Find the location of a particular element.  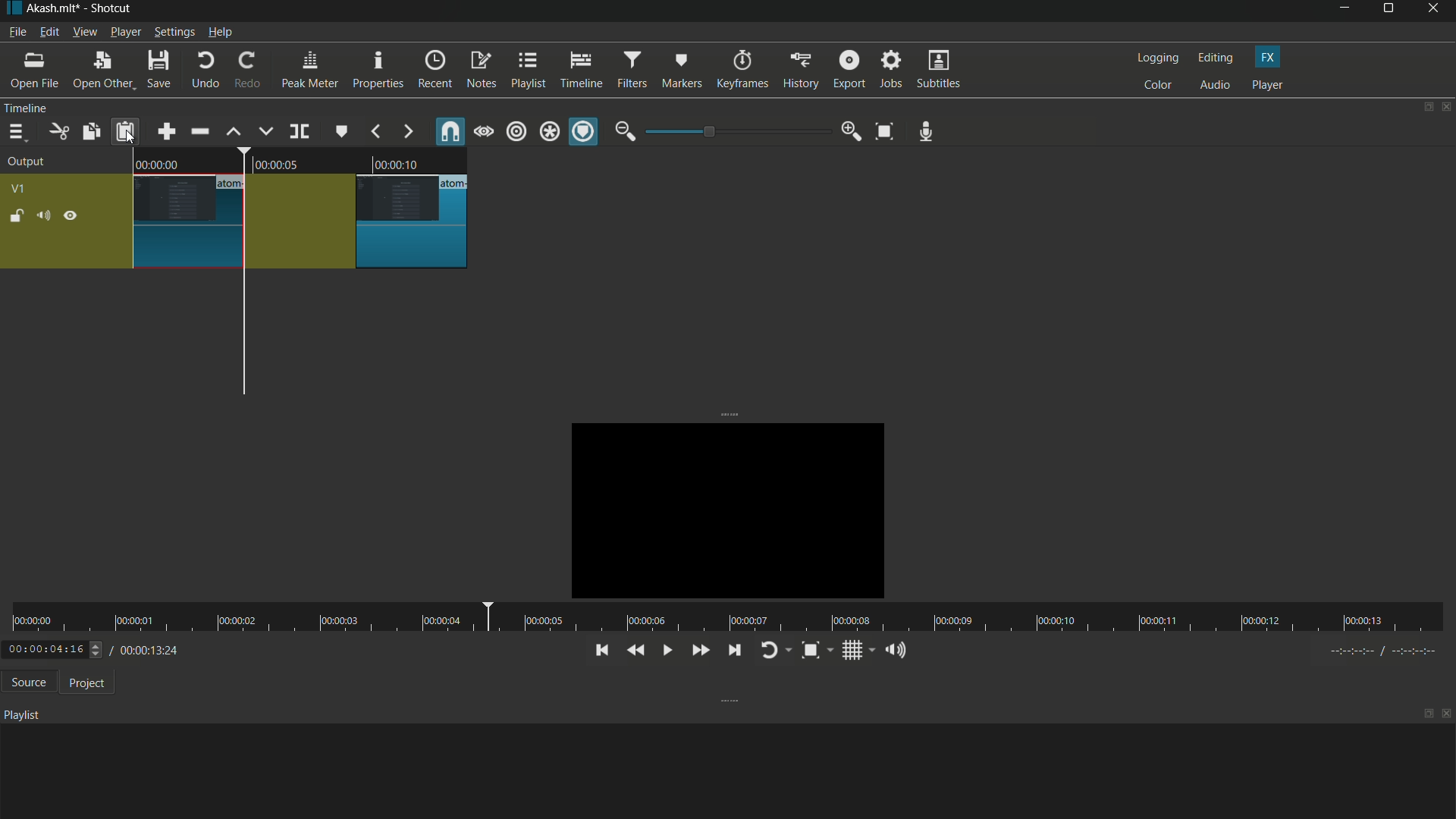

change layout is located at coordinates (1423, 107).